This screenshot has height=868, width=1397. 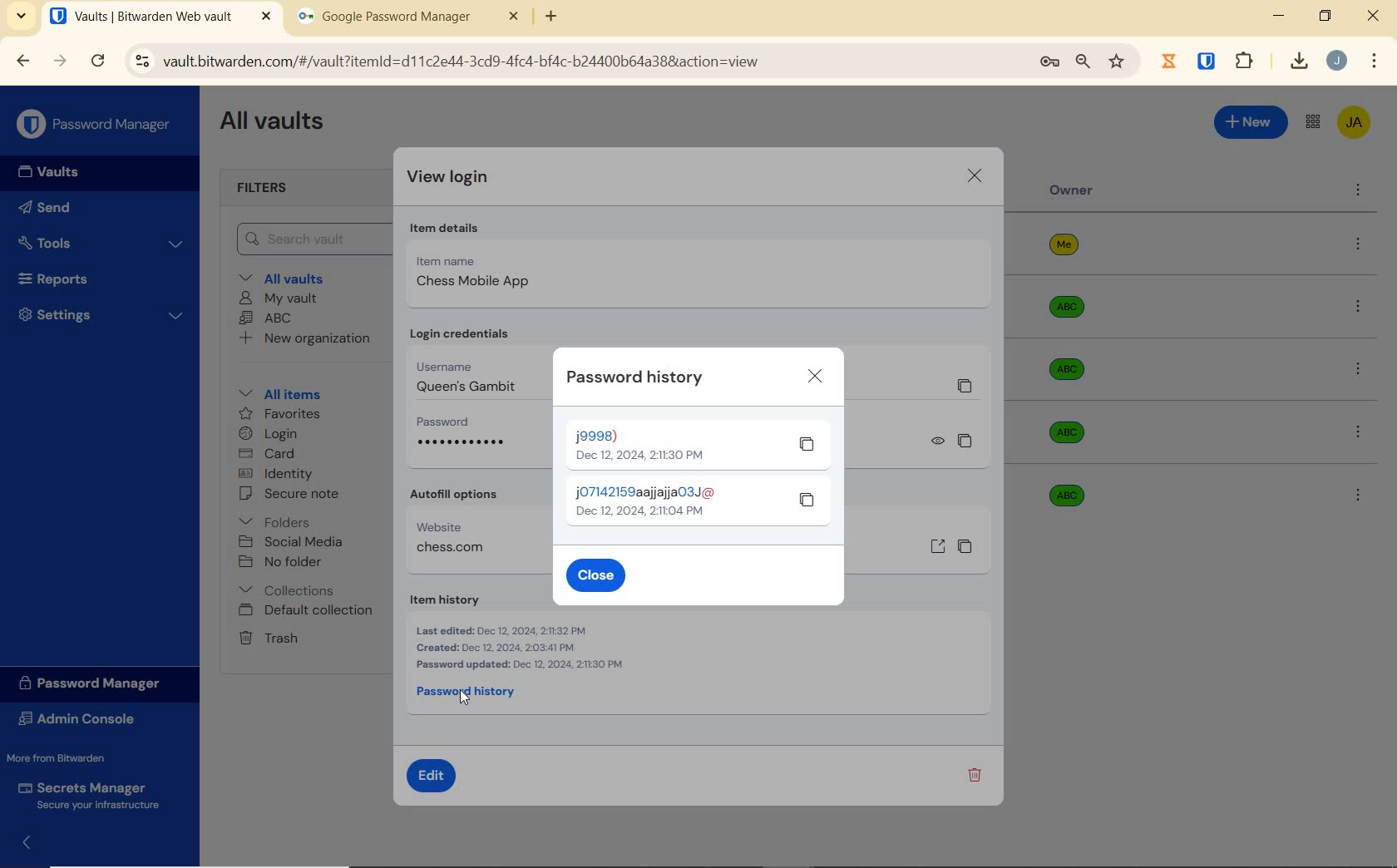 What do you see at coordinates (1357, 126) in the screenshot?
I see `Bitwarden Account` at bounding box center [1357, 126].